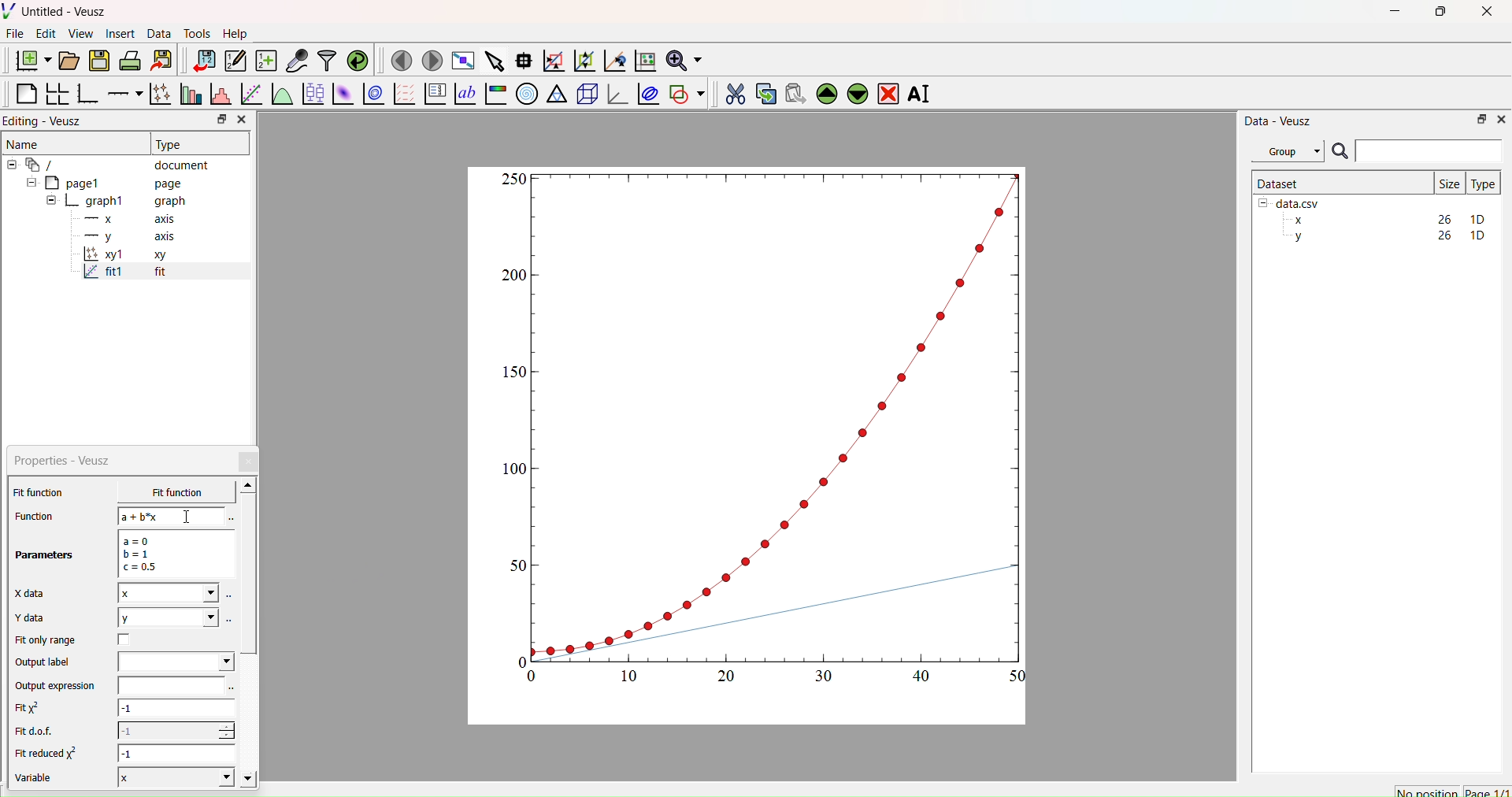  Describe the element at coordinates (1279, 183) in the screenshot. I see `Dataset` at that location.